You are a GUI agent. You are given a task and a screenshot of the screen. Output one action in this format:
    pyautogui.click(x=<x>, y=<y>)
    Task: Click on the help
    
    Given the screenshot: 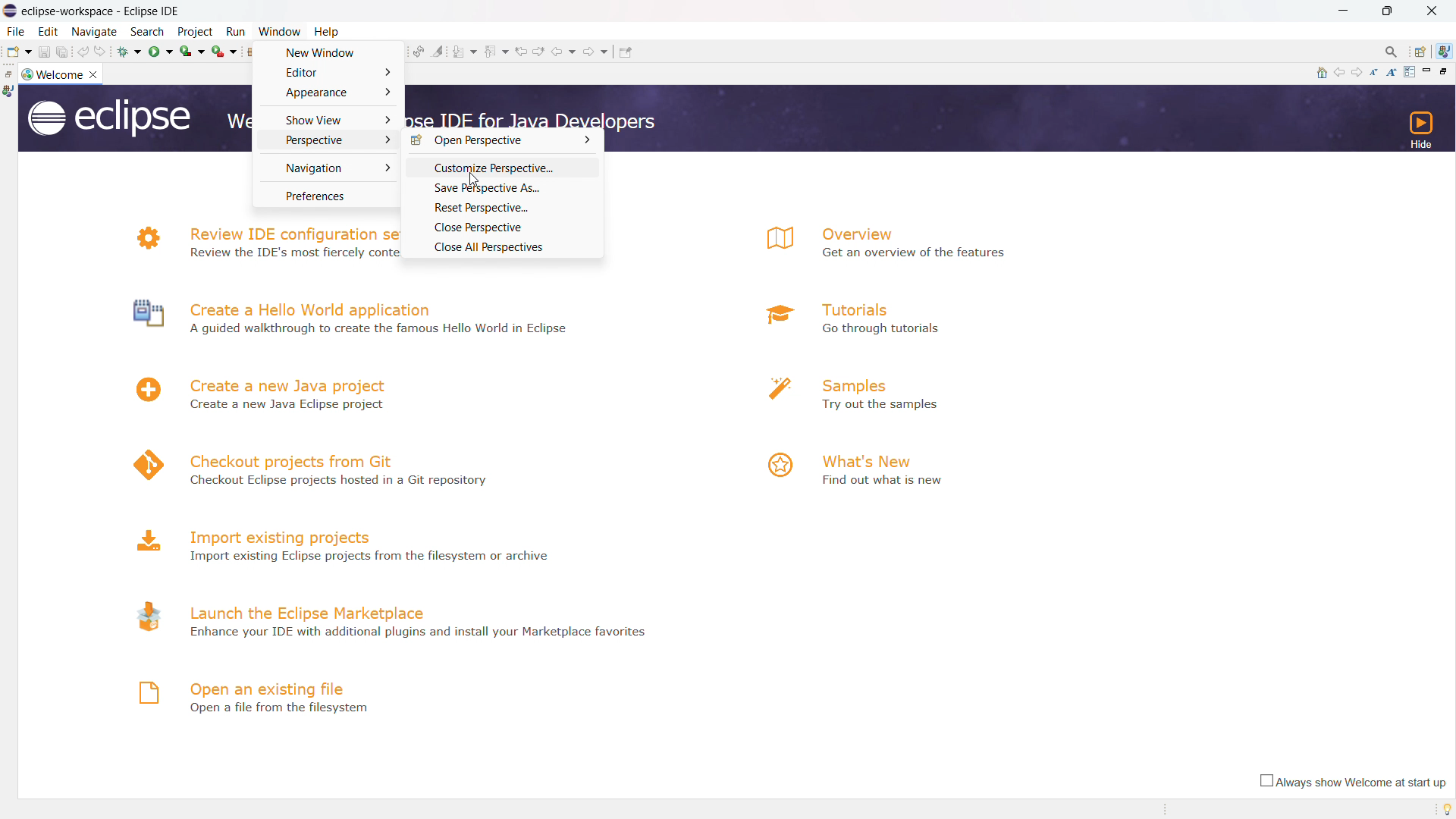 What is the action you would take?
    pyautogui.click(x=326, y=32)
    